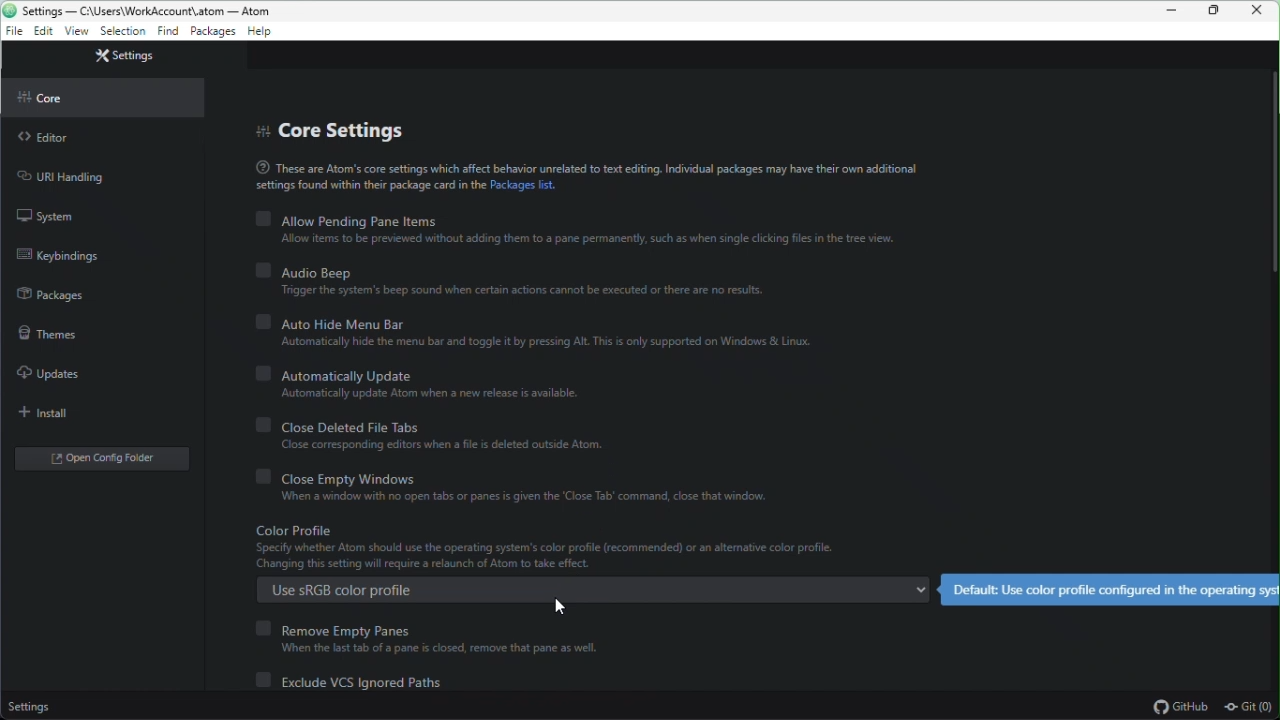 Image resolution: width=1280 pixels, height=720 pixels. I want to click on find, so click(166, 34).